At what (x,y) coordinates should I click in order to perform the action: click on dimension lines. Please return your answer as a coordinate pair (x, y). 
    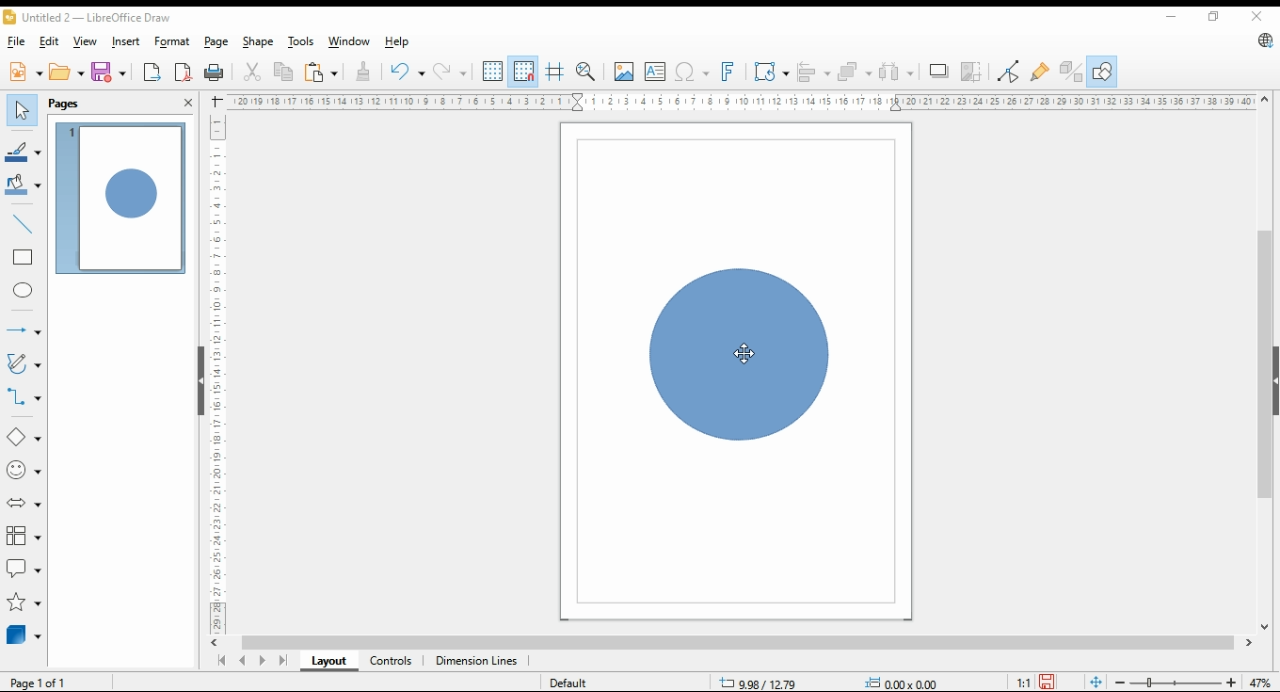
    Looking at the image, I should click on (477, 660).